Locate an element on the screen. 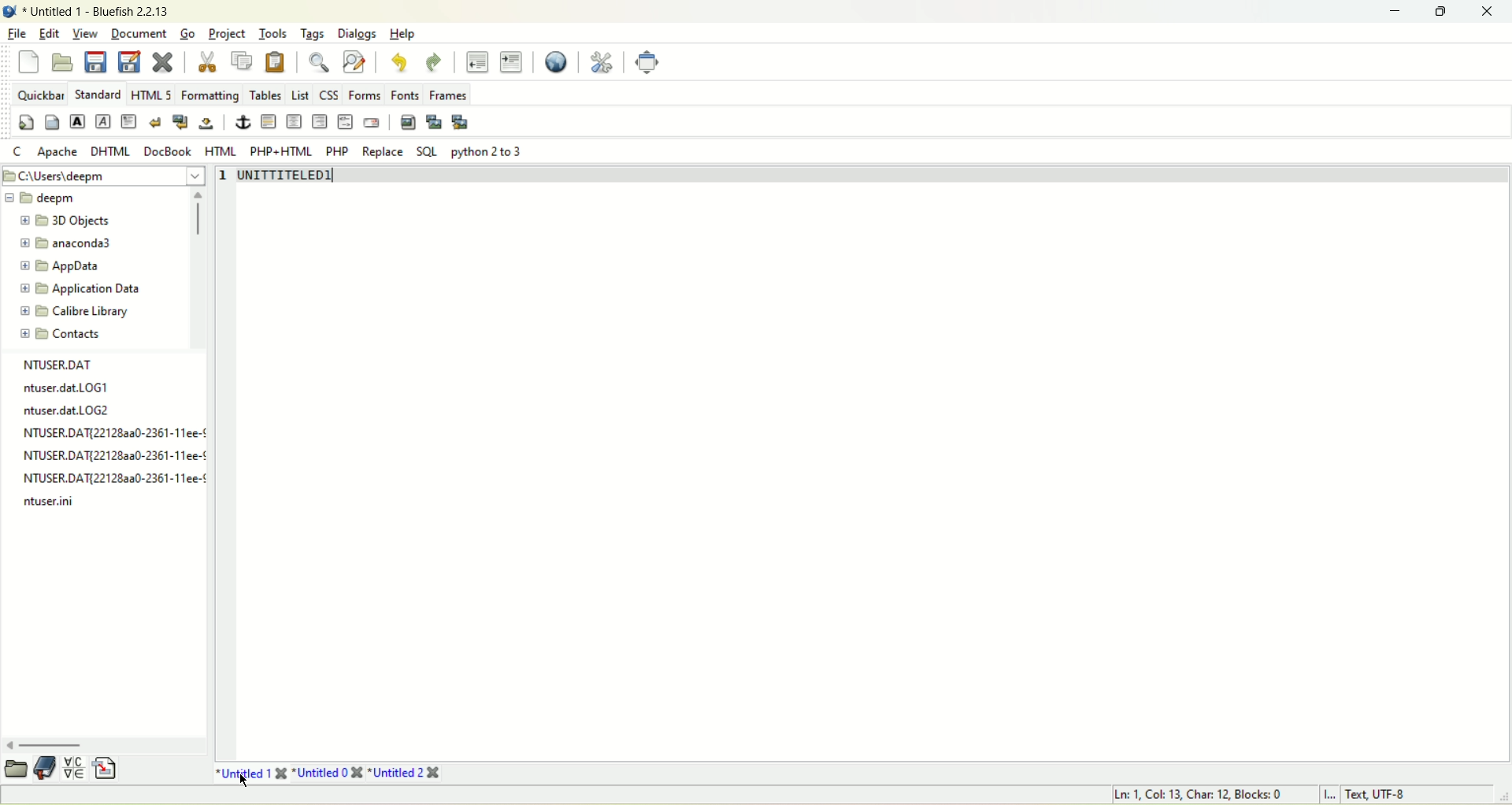  calibre library is located at coordinates (76, 310).